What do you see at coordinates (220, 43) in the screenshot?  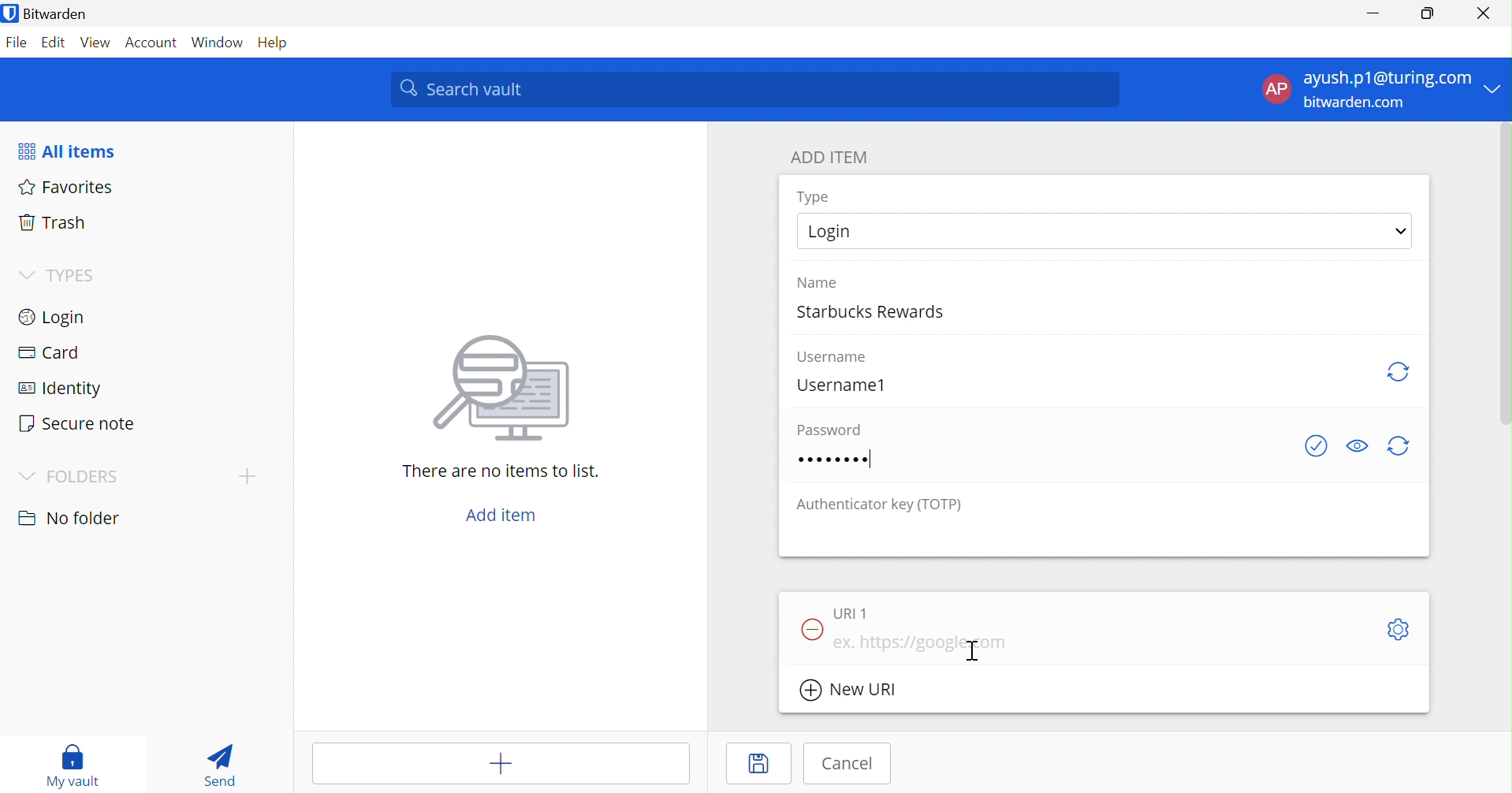 I see `Window` at bounding box center [220, 43].